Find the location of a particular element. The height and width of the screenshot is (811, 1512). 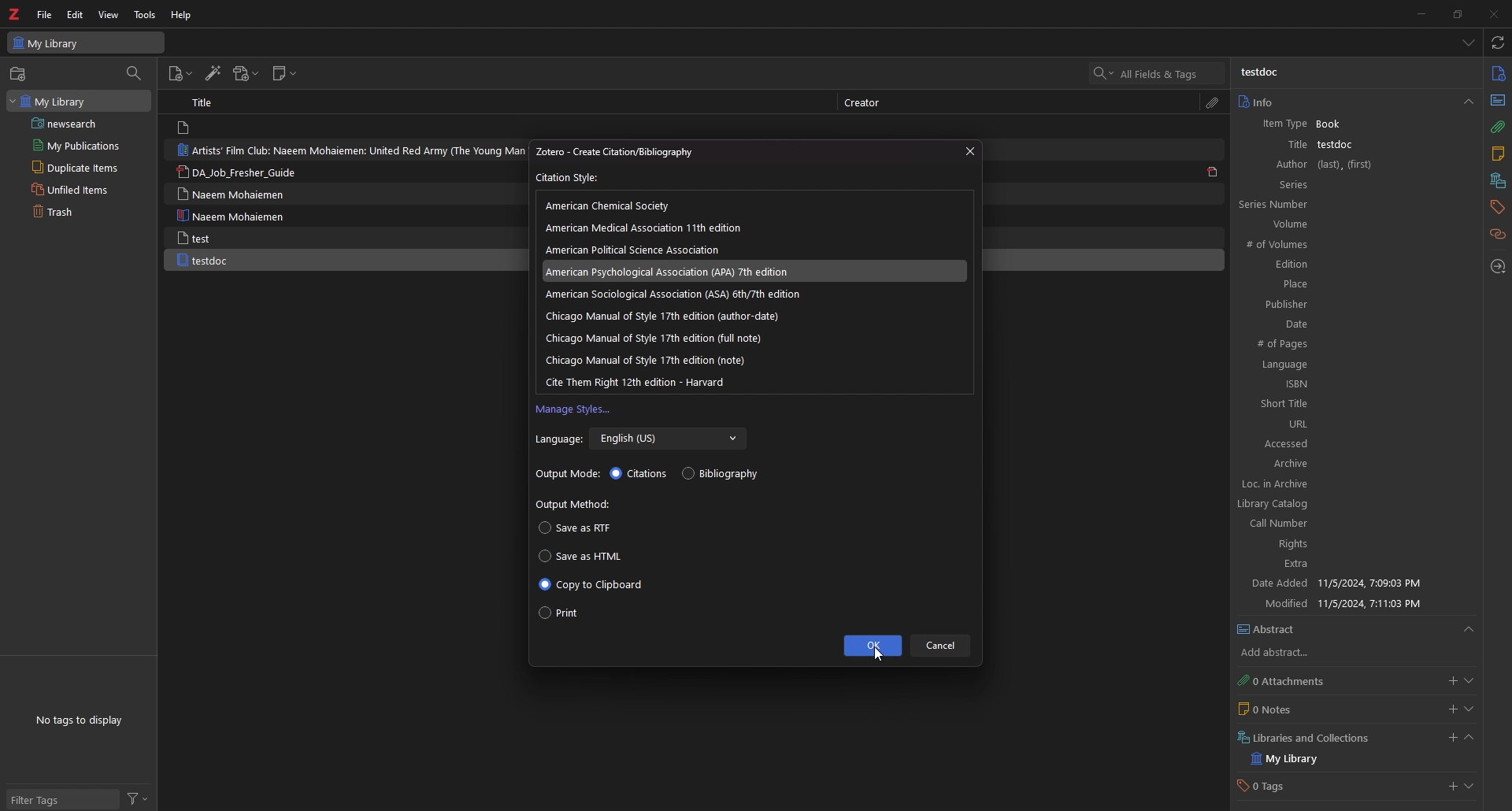

my library is located at coordinates (1299, 759).